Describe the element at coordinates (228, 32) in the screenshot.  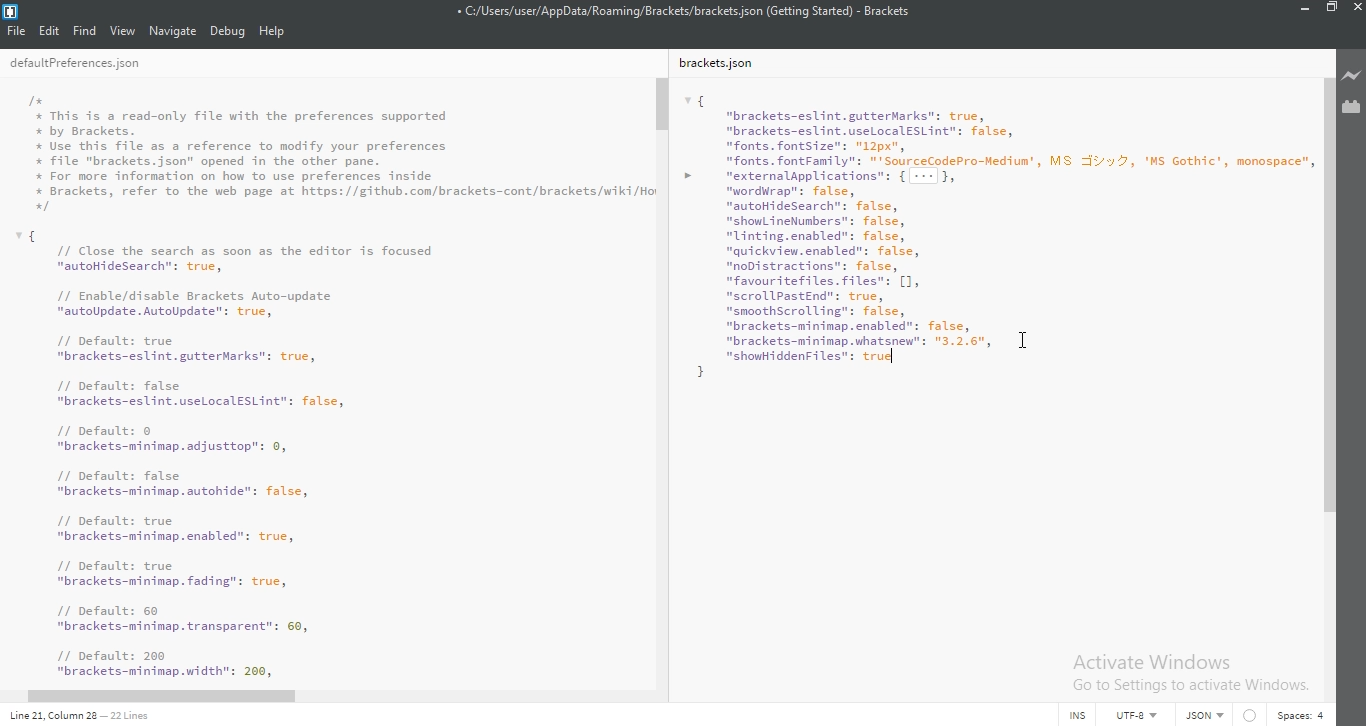
I see `Debug` at that location.